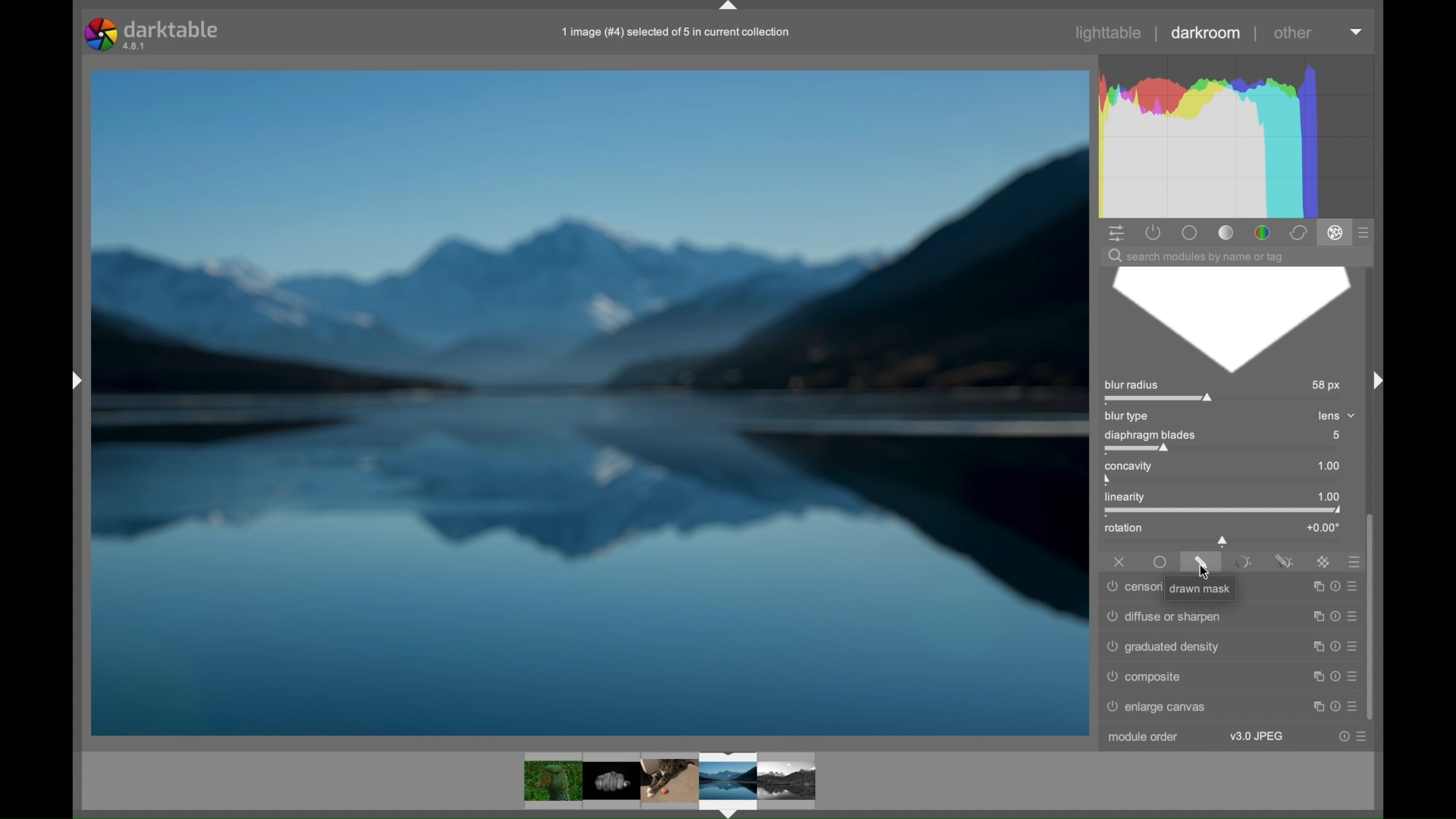  What do you see at coordinates (1241, 562) in the screenshot?
I see `parametricamsk` at bounding box center [1241, 562].